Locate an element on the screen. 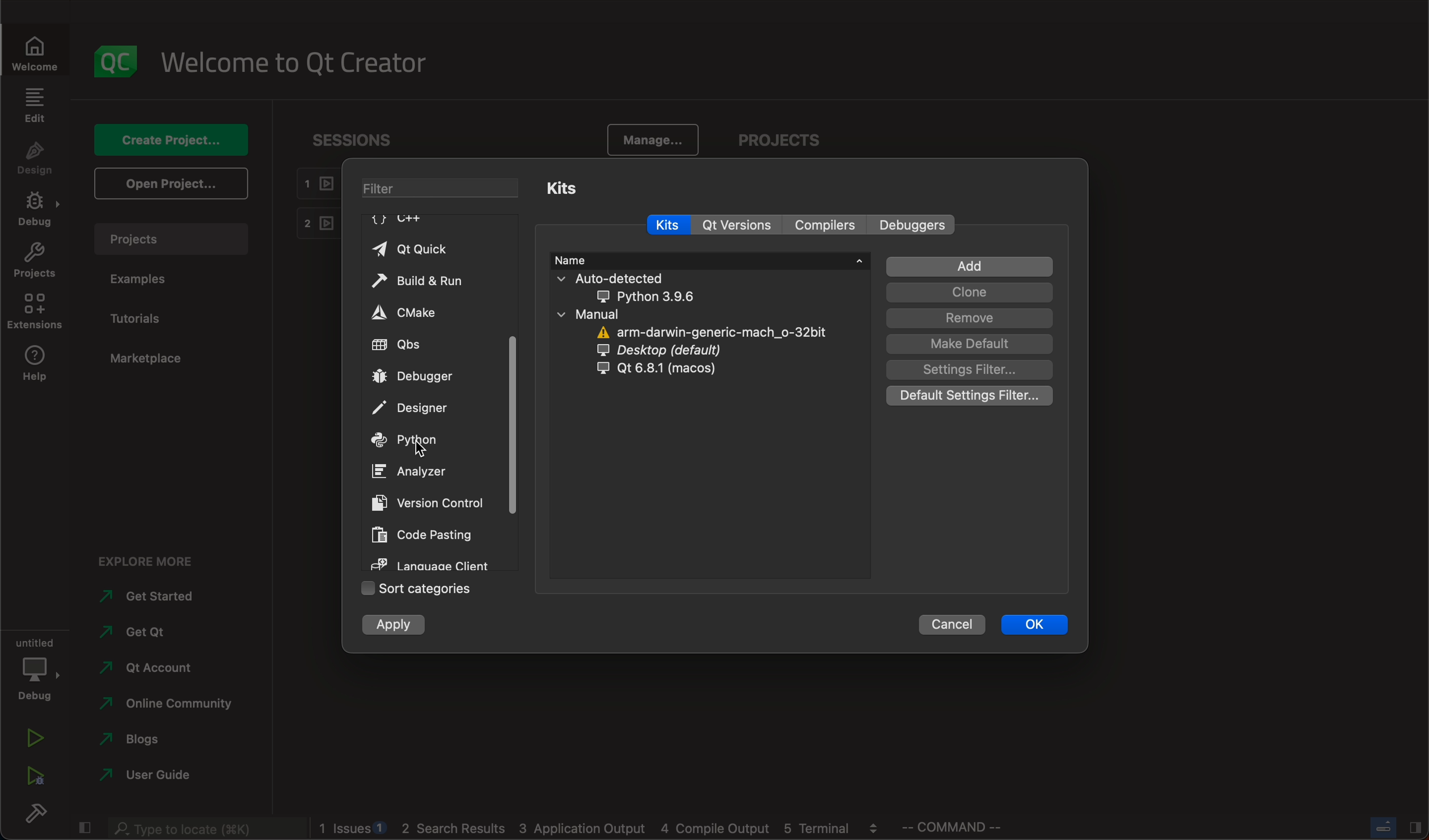  debugger is located at coordinates (420, 377).